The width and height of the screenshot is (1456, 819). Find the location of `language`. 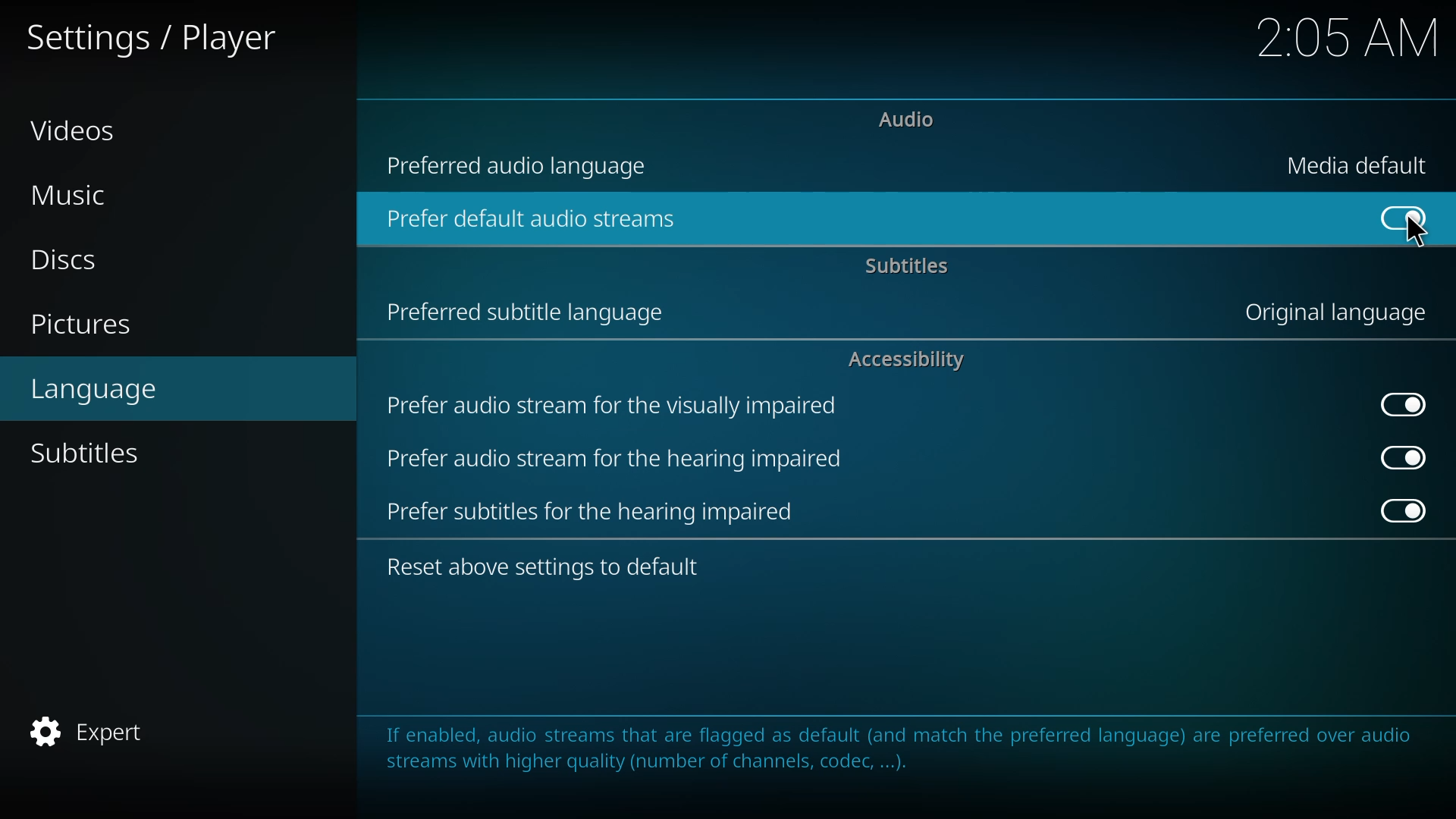

language is located at coordinates (100, 388).